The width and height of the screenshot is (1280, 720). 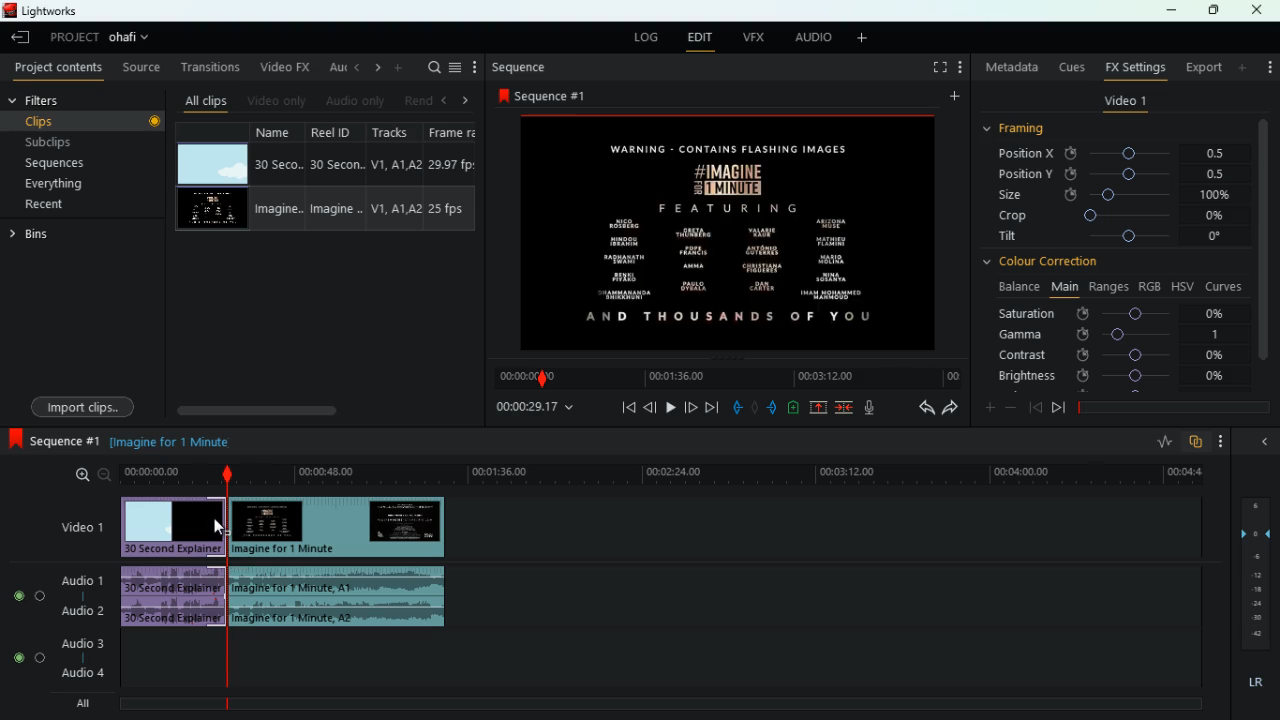 What do you see at coordinates (1181, 285) in the screenshot?
I see `hsv` at bounding box center [1181, 285].